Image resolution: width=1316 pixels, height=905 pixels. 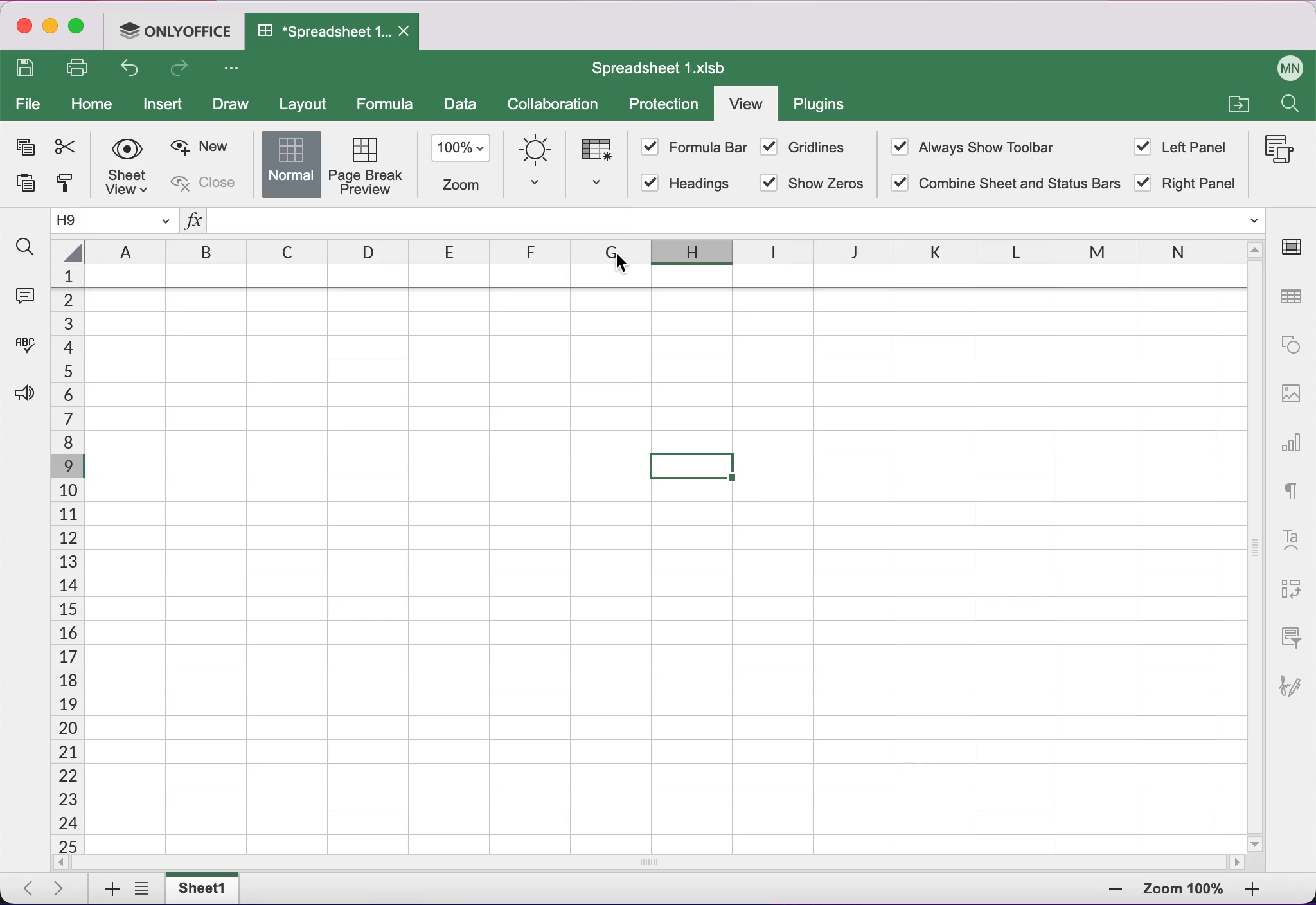 I want to click on cut, so click(x=69, y=147).